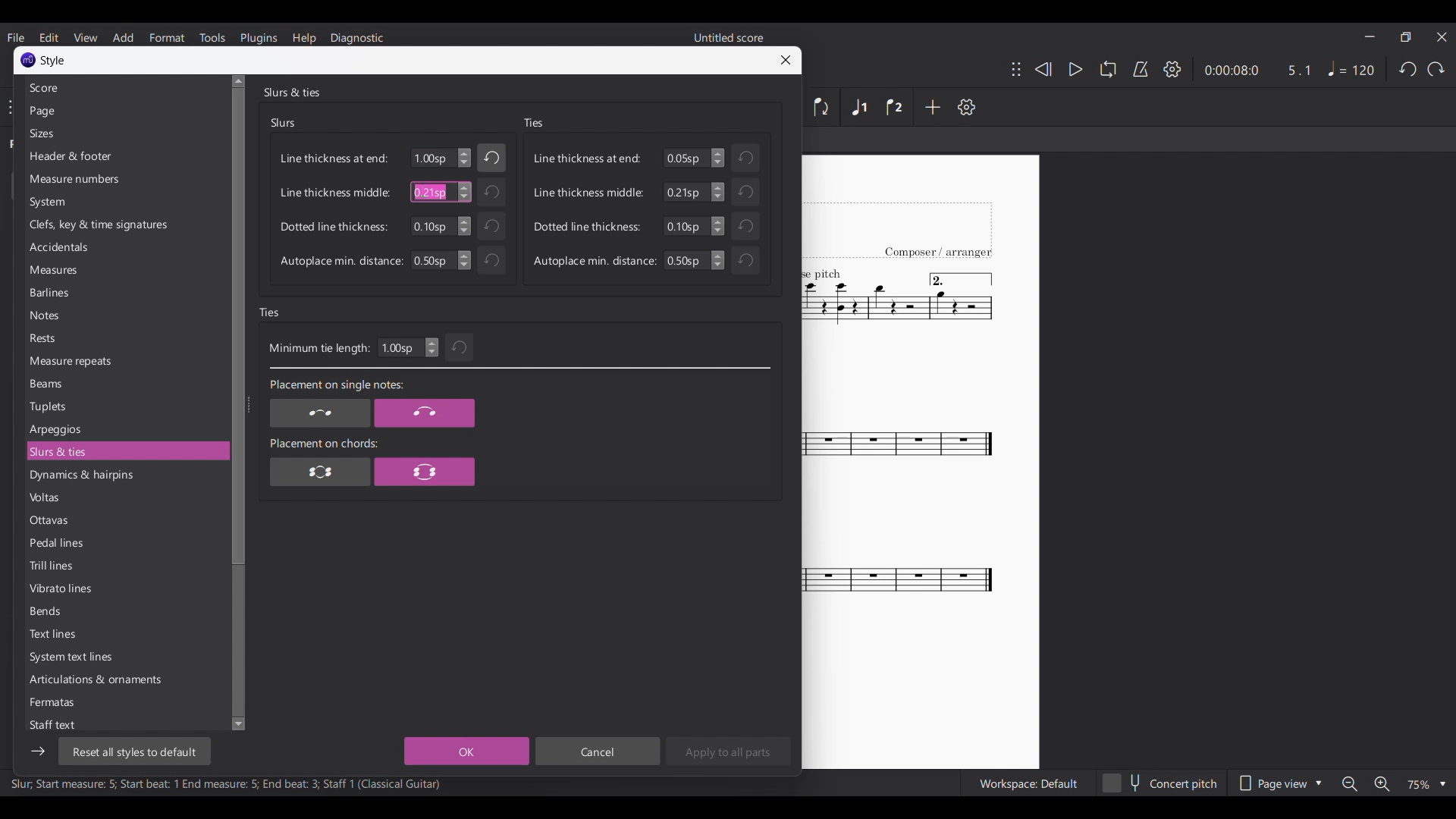  What do you see at coordinates (860, 108) in the screenshot?
I see `Voice 1, highlighted` at bounding box center [860, 108].